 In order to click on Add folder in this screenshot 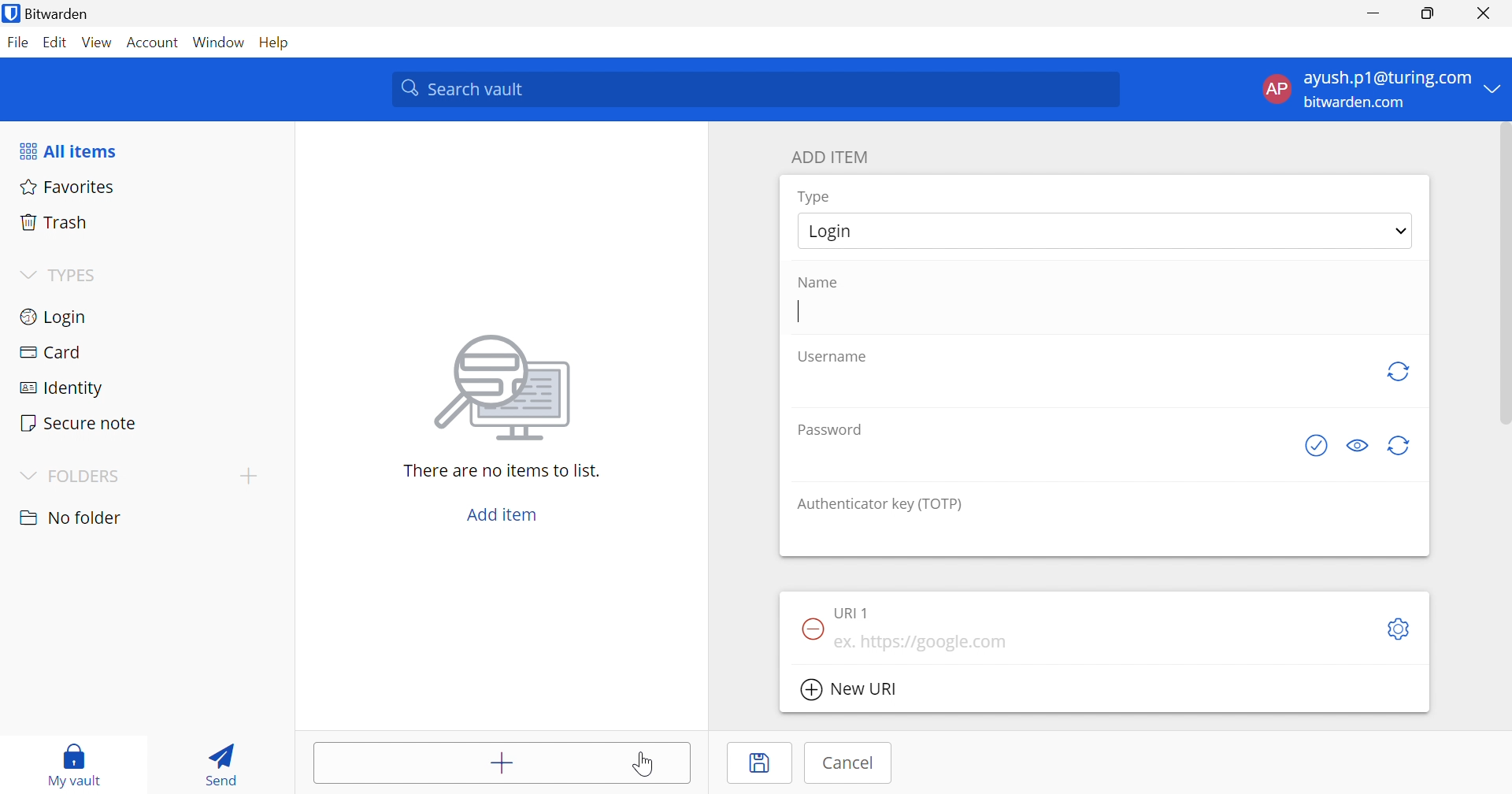, I will do `click(249, 477)`.